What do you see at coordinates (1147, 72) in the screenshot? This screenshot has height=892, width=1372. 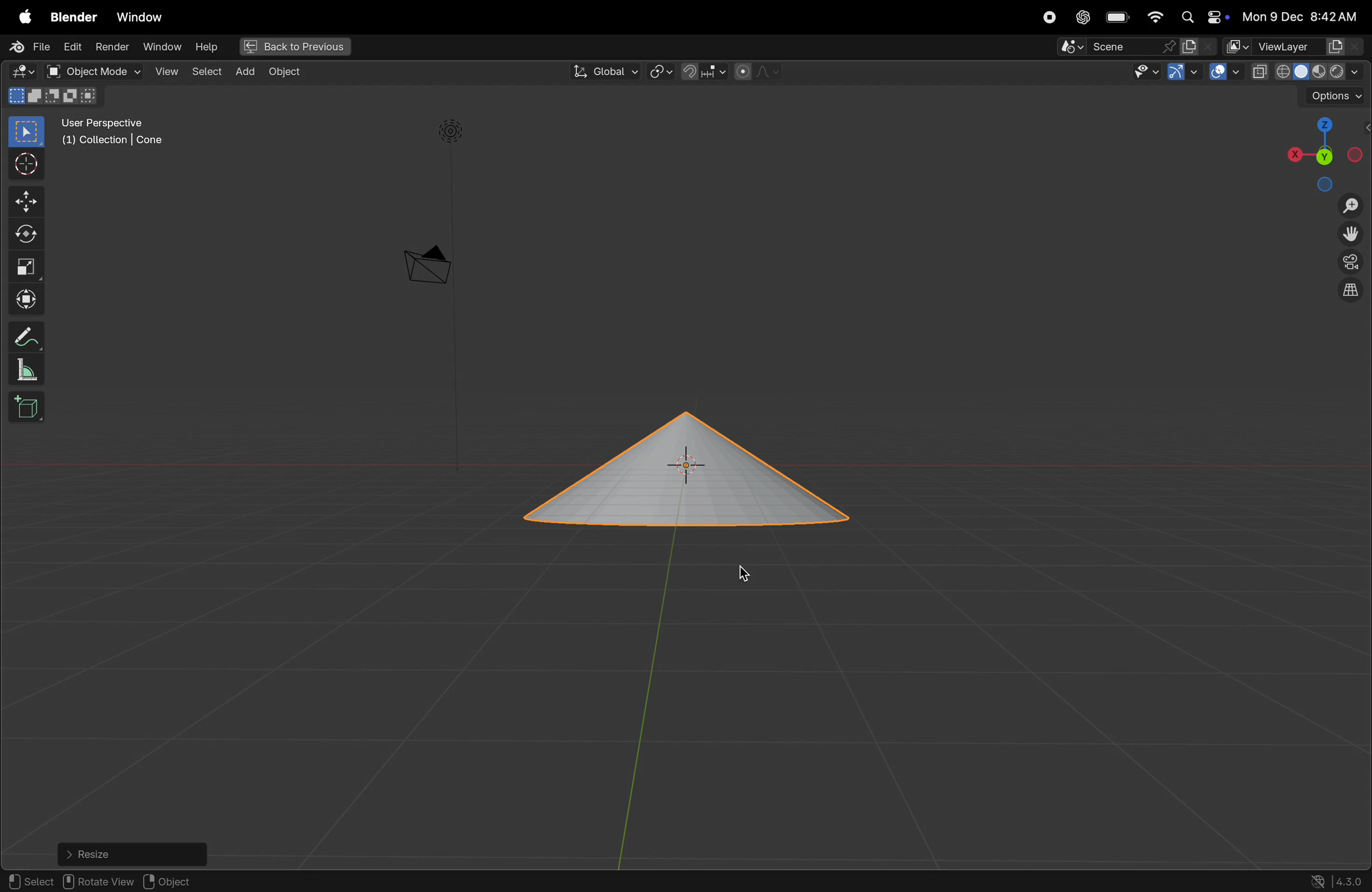 I see `show visinlilty` at bounding box center [1147, 72].